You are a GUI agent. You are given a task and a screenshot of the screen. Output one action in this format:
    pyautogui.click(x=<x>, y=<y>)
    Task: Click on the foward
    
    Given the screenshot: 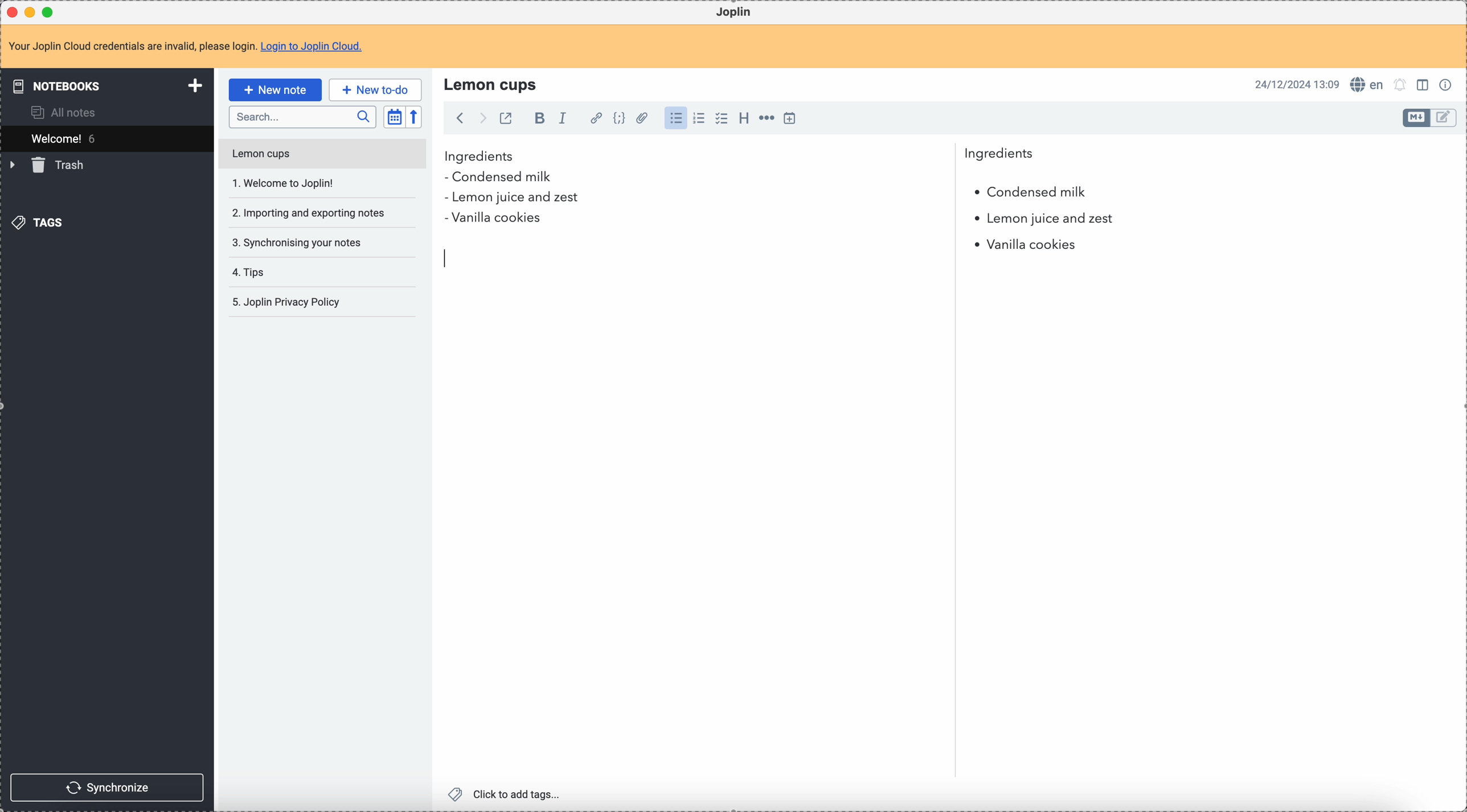 What is the action you would take?
    pyautogui.click(x=481, y=118)
    